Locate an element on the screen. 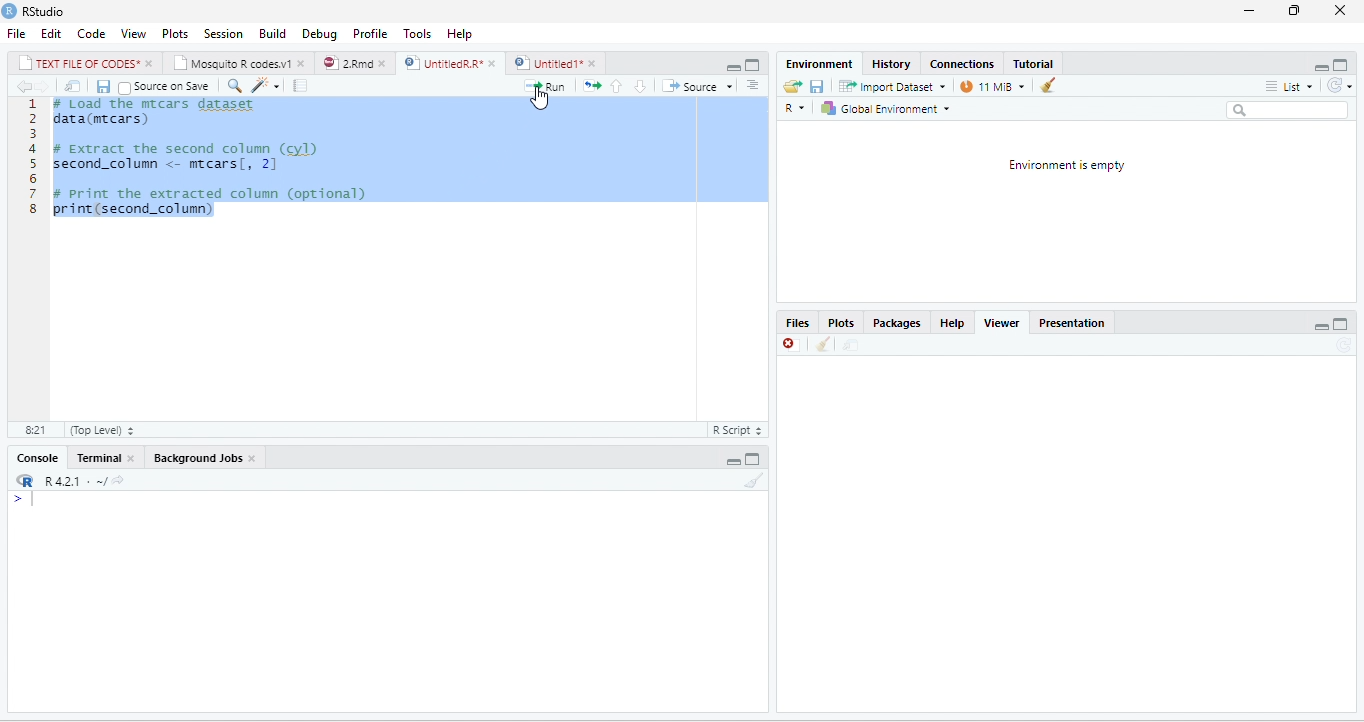 This screenshot has width=1364, height=722. | TEXT FILE RF CODES* is located at coordinates (78, 61).